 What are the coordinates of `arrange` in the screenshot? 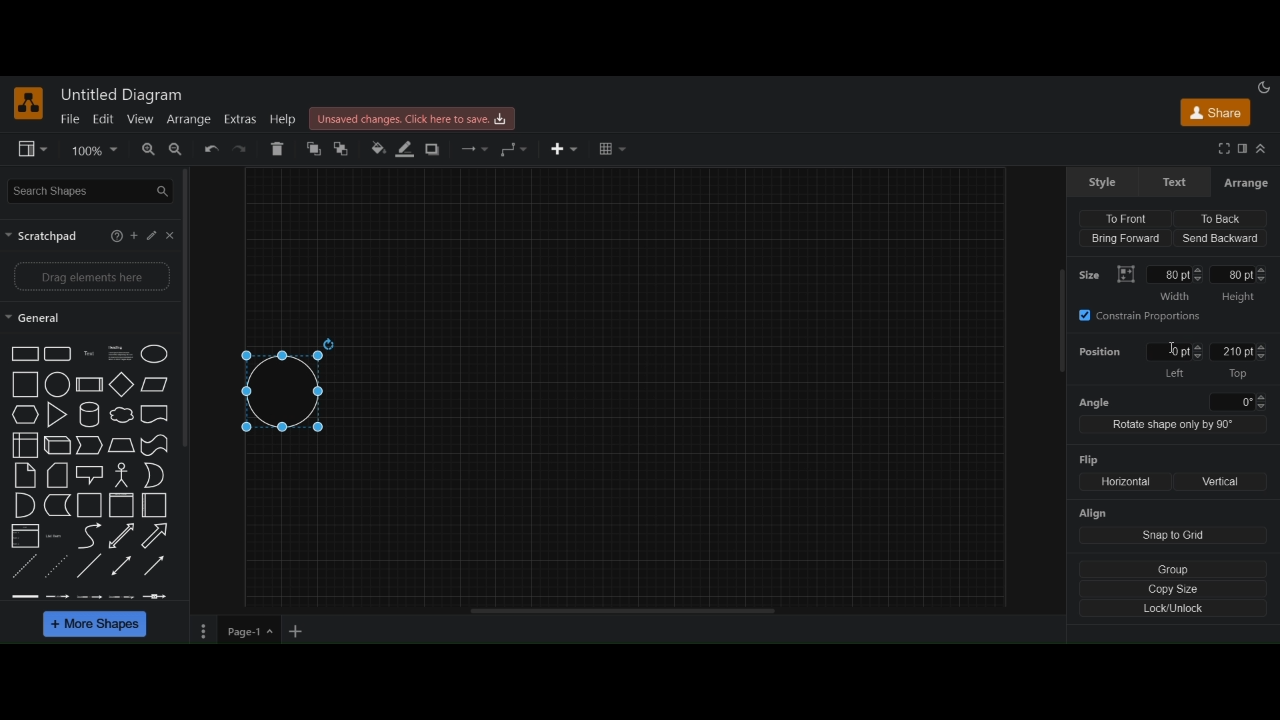 It's located at (188, 119).